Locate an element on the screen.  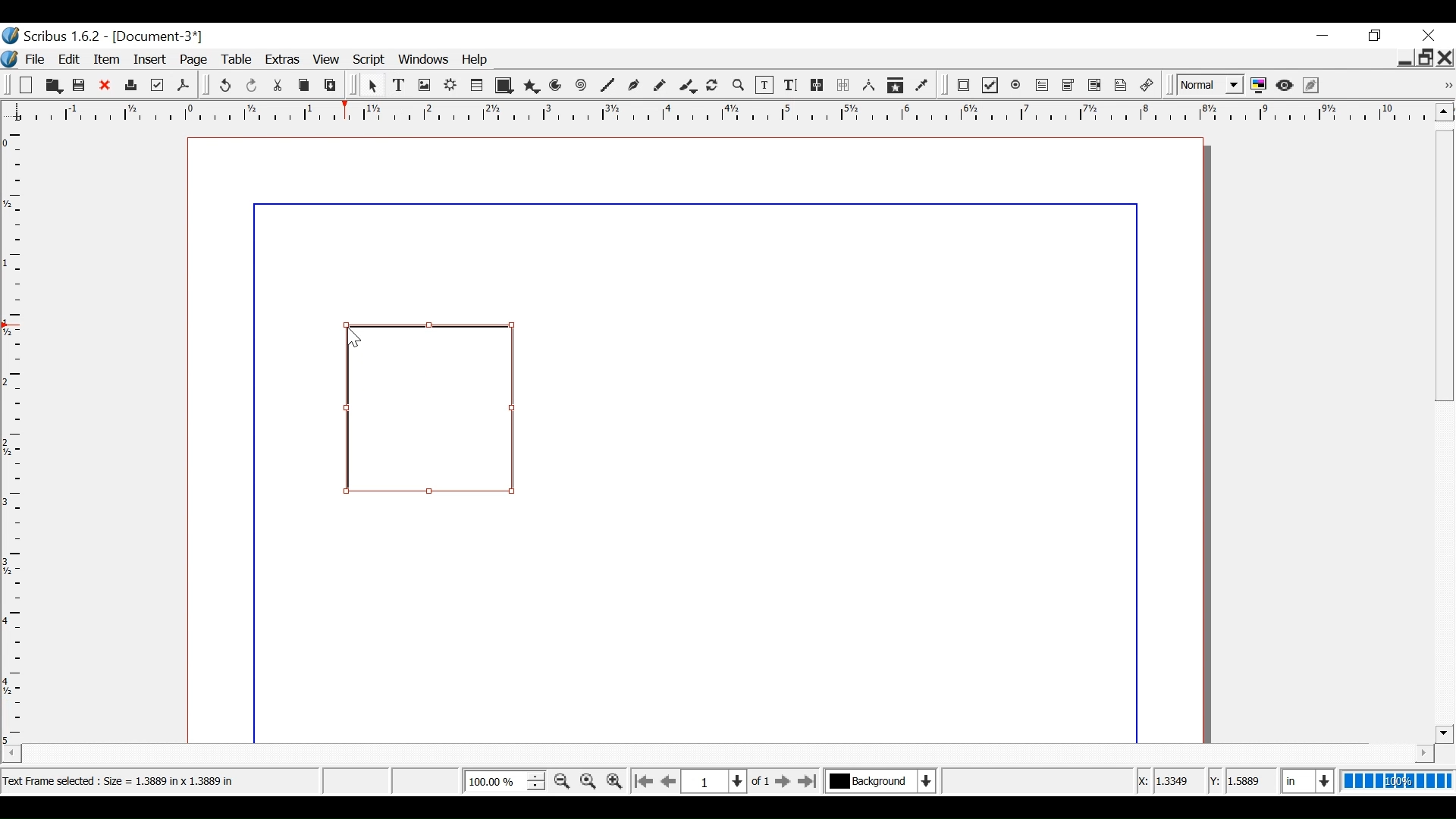
Help is located at coordinates (479, 59).